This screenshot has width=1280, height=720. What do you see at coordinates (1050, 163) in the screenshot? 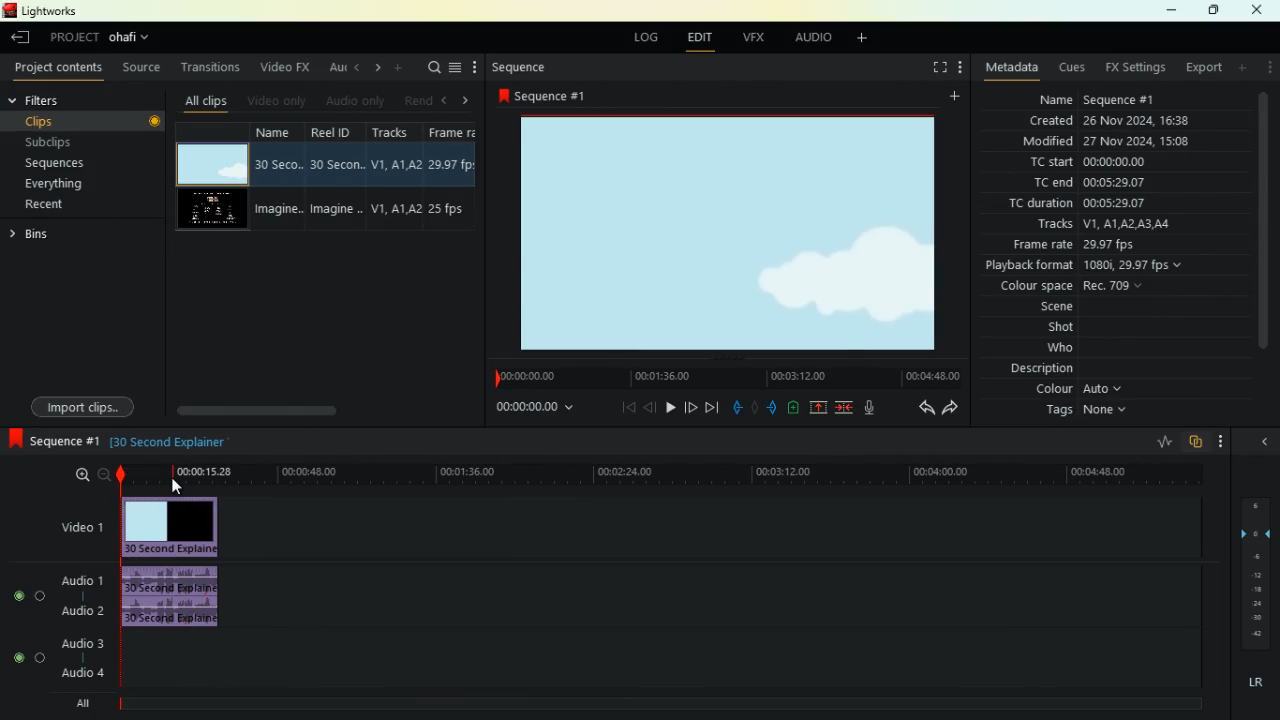
I see `tc start` at bounding box center [1050, 163].